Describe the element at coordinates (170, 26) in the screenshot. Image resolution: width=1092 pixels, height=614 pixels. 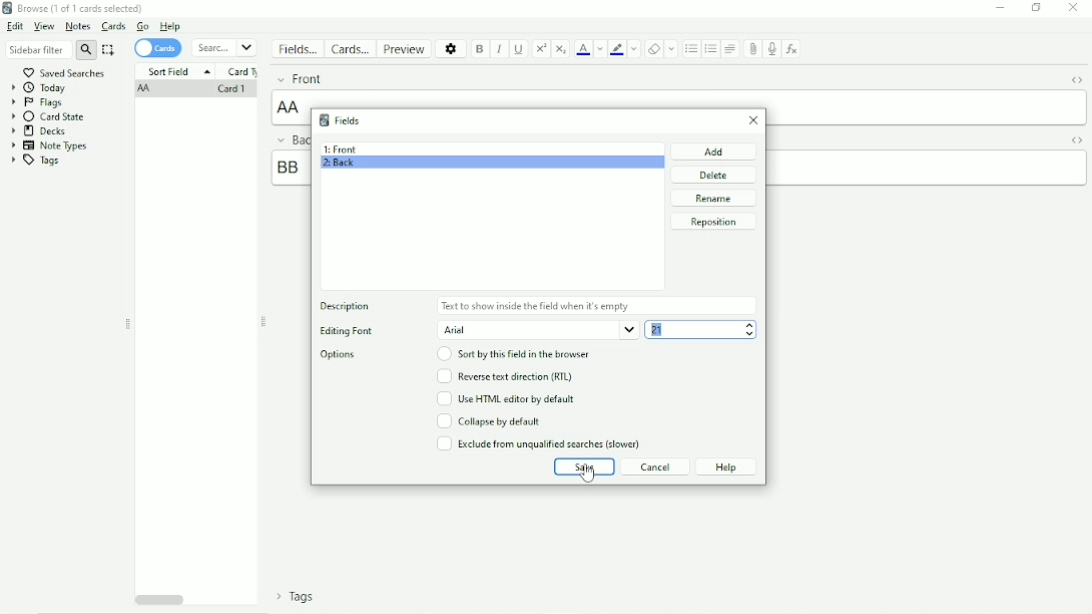
I see `Help` at that location.